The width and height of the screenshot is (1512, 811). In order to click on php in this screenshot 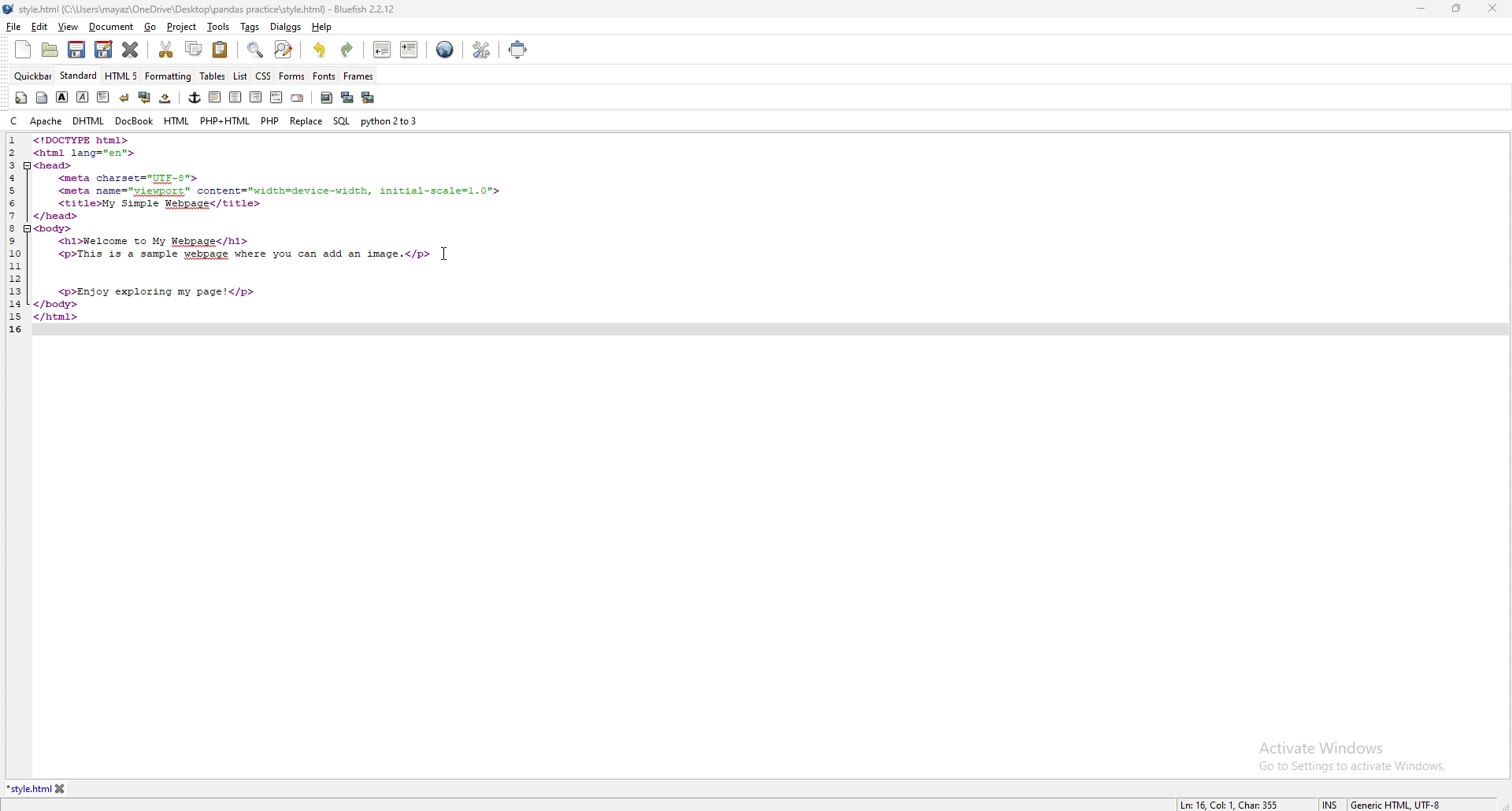, I will do `click(270, 120)`.